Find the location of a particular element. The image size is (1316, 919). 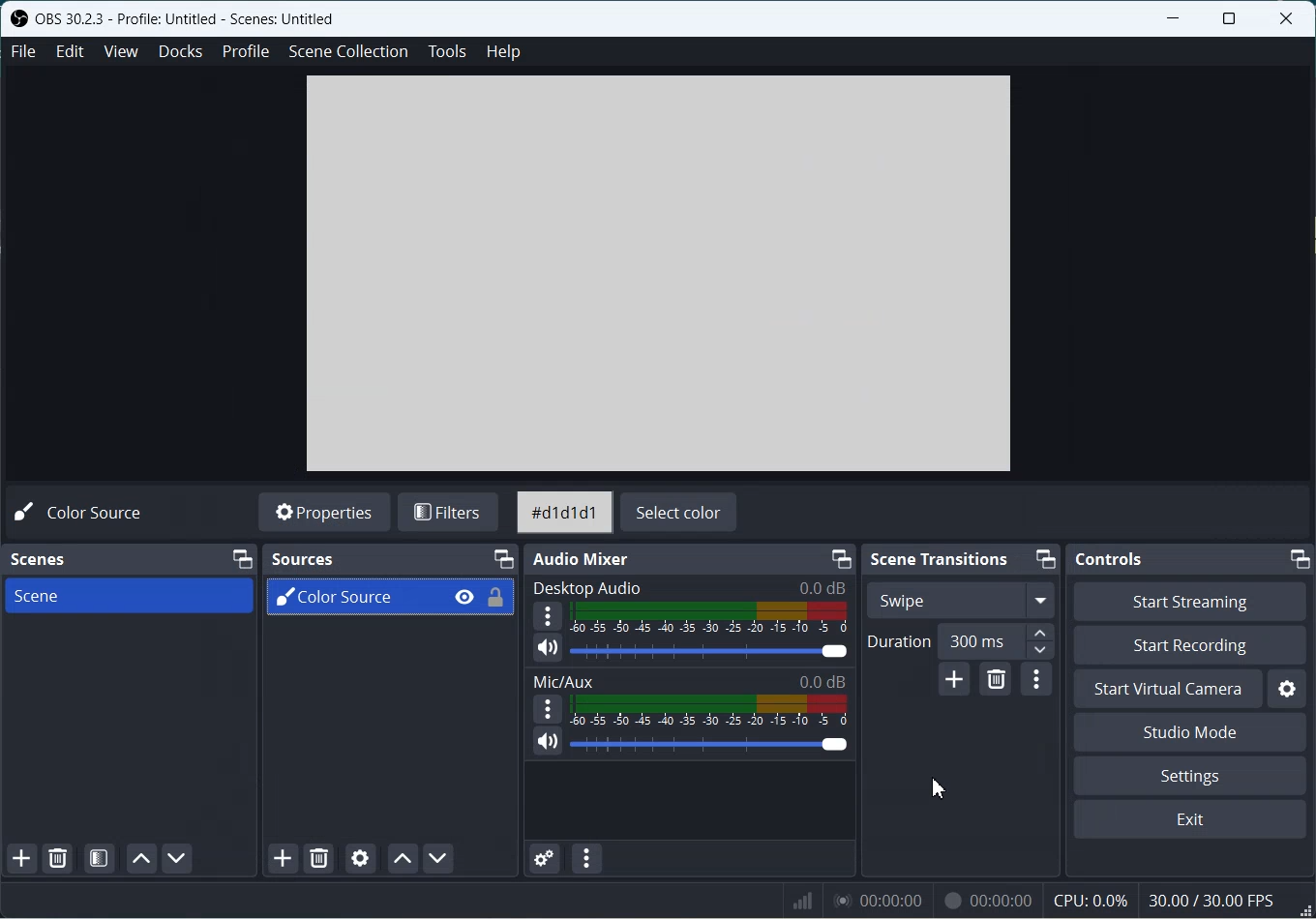

Mic/Aux 0.0dB is located at coordinates (690, 681).